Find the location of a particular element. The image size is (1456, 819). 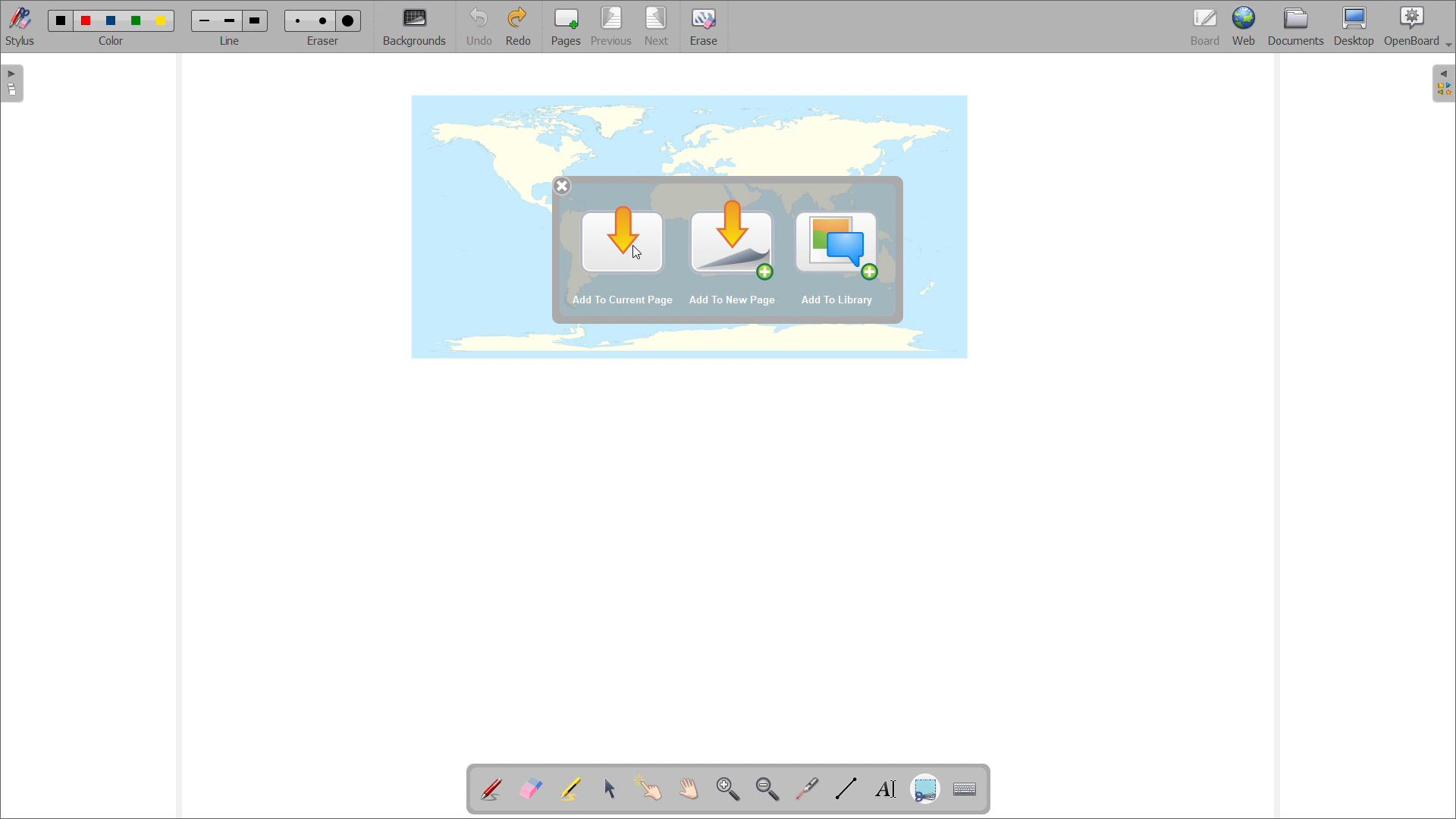

black is located at coordinates (61, 19).